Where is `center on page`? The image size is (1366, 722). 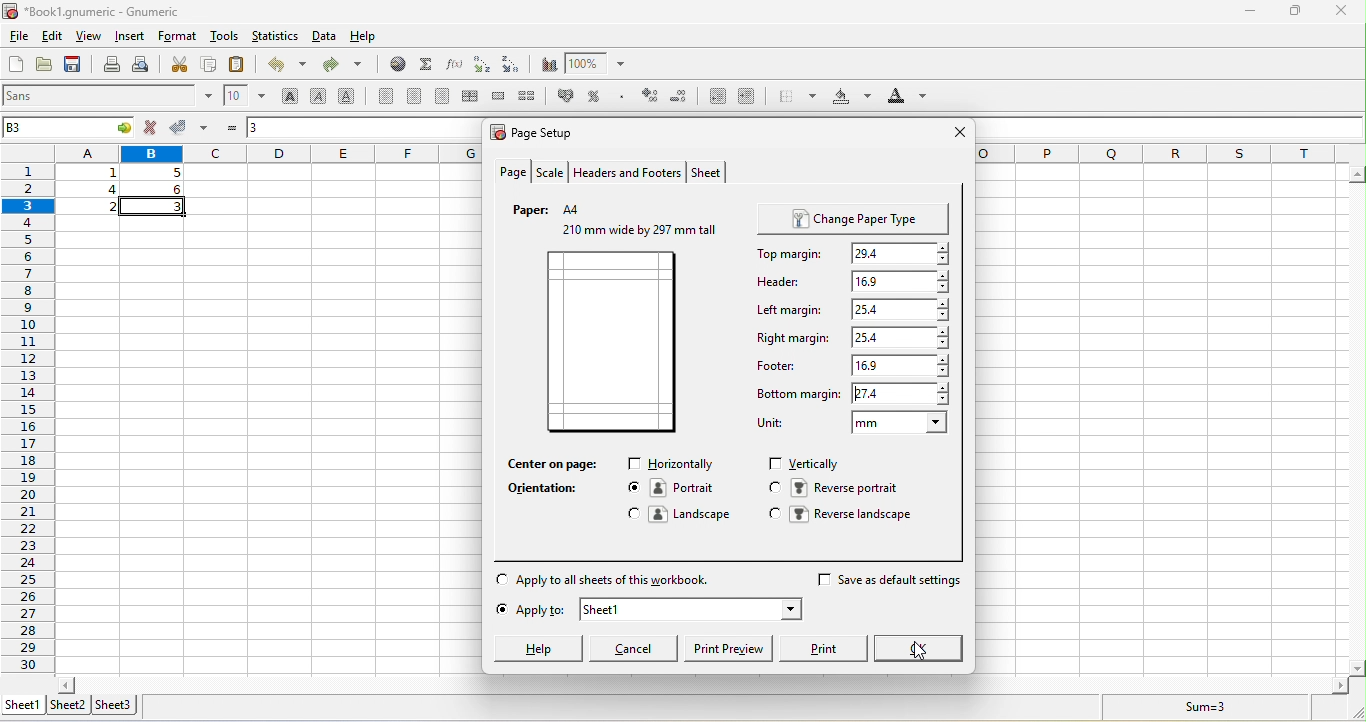
center on page is located at coordinates (559, 464).